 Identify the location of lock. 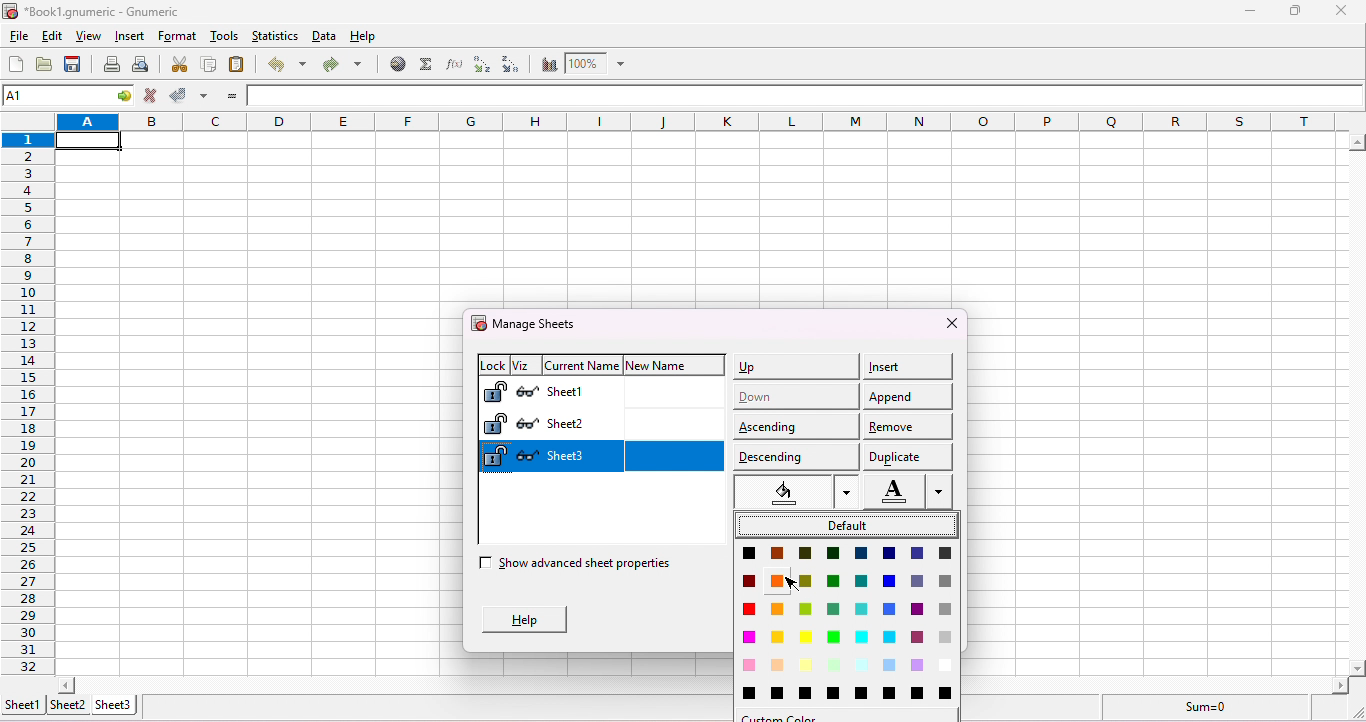
(490, 362).